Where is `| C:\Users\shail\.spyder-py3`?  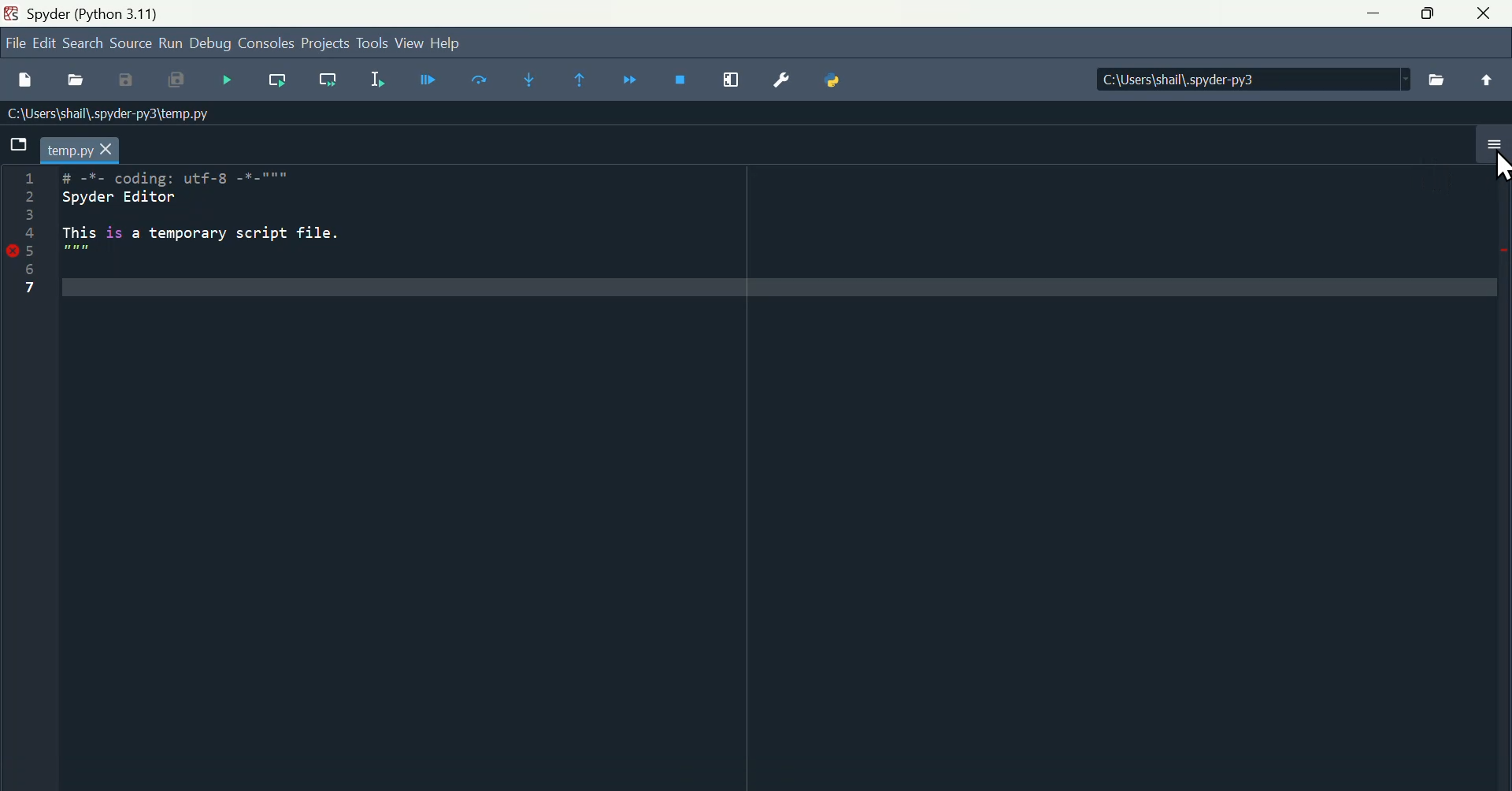 | C:\Users\shail\.spyder-py3 is located at coordinates (1248, 80).